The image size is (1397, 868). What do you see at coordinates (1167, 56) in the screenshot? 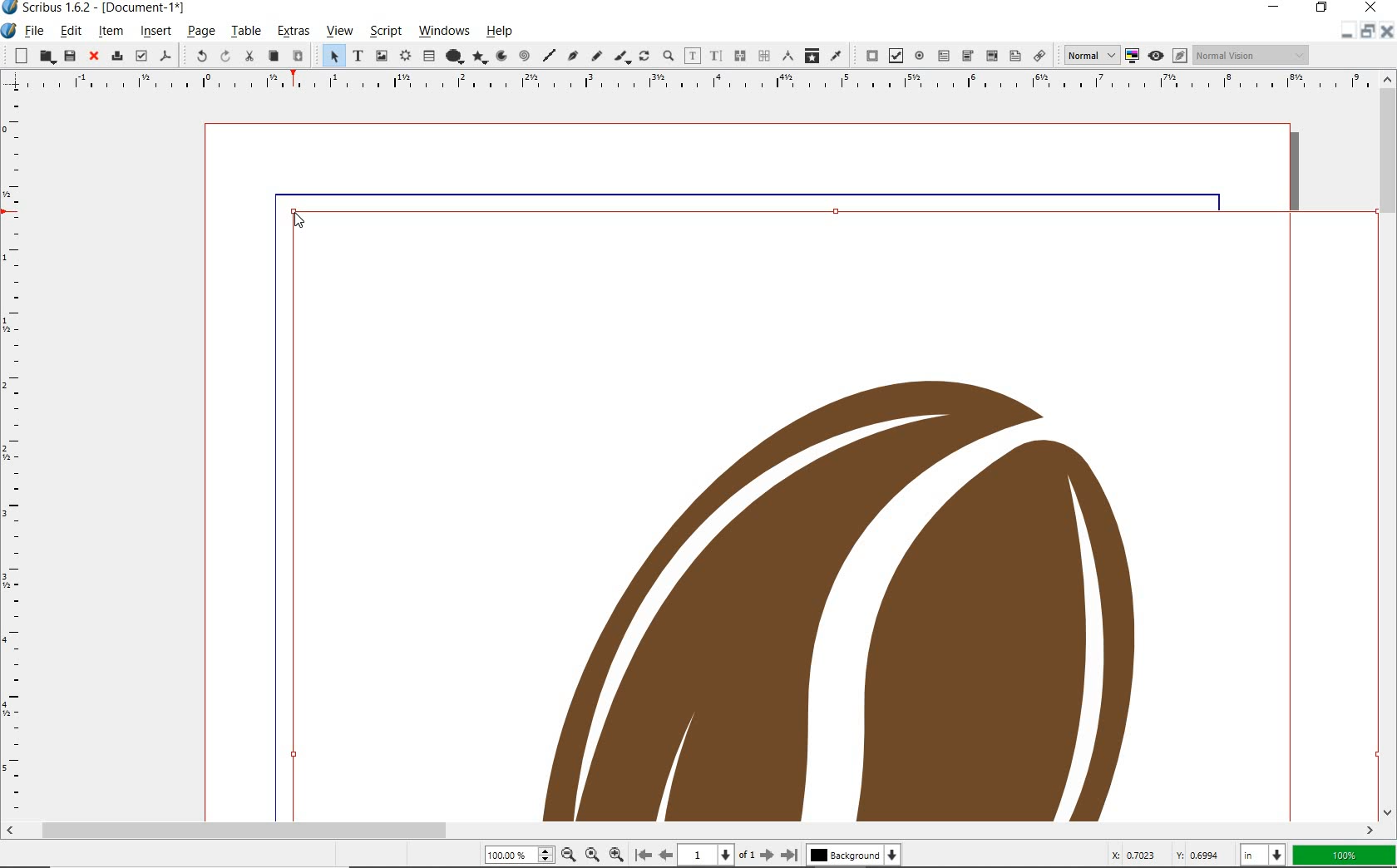
I see `preview mode` at bounding box center [1167, 56].